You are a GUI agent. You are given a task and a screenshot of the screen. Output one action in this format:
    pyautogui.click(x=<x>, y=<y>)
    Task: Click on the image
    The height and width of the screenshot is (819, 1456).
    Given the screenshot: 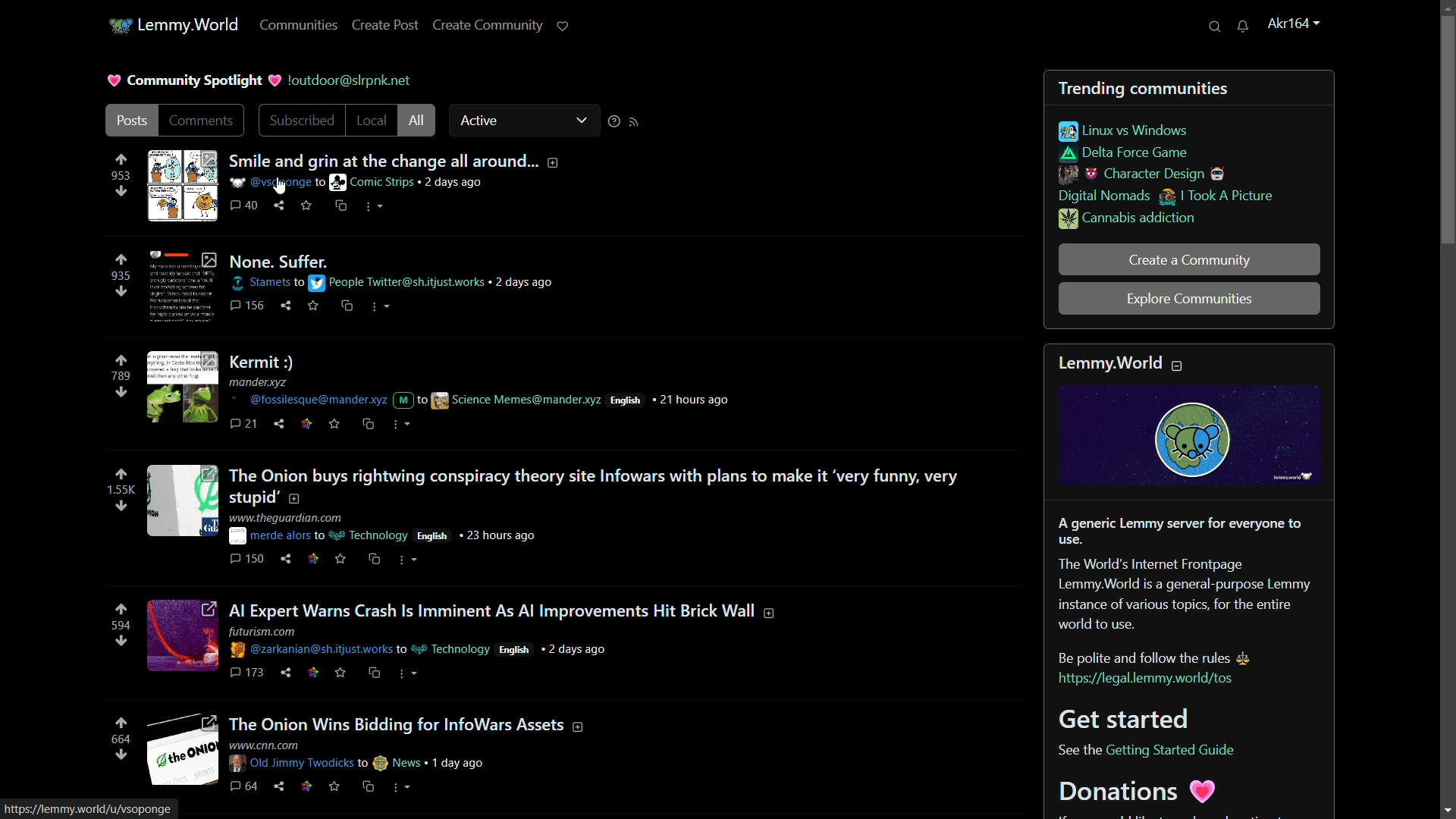 What is the action you would take?
    pyautogui.click(x=1181, y=435)
    